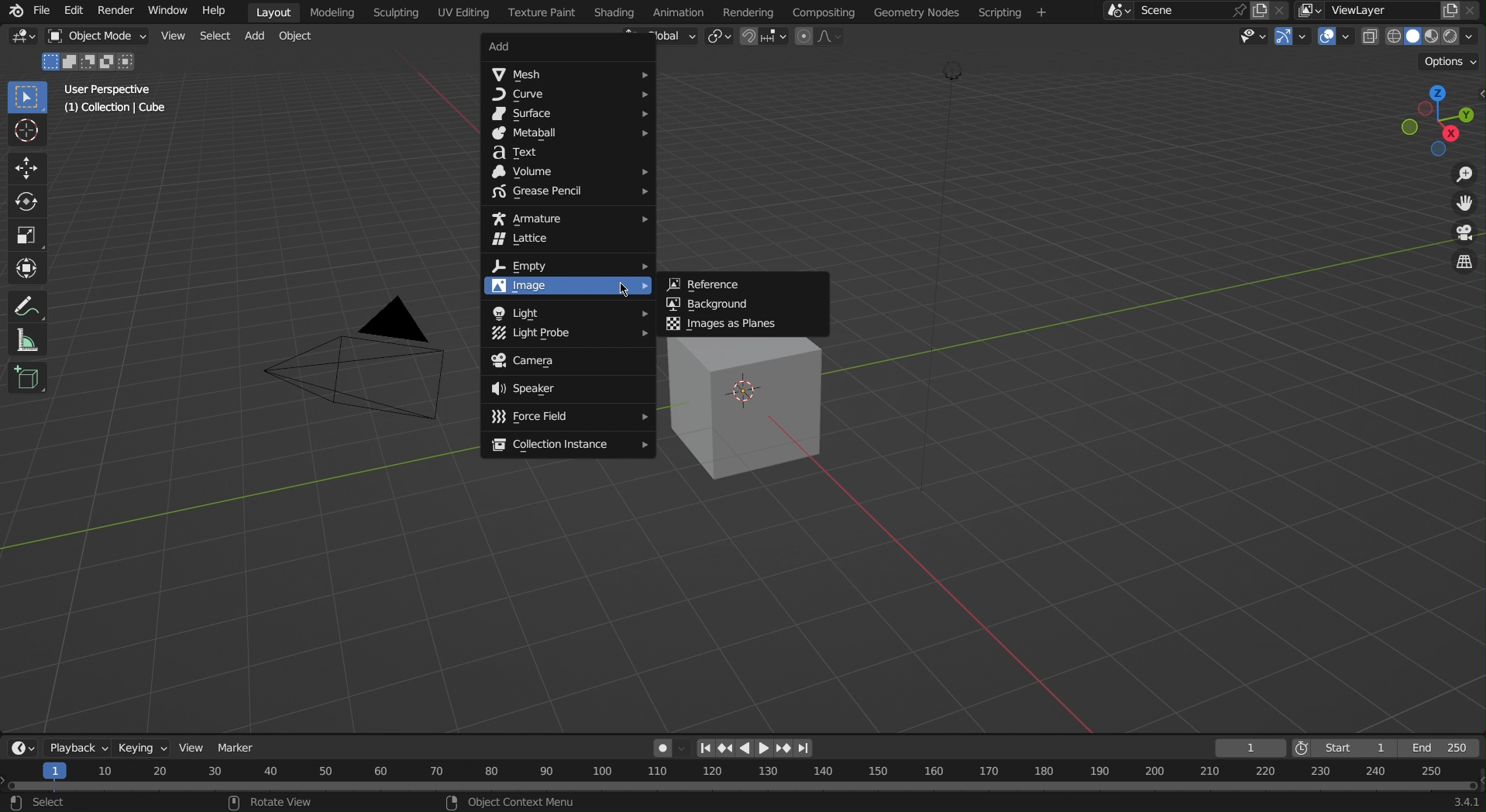  I want to click on Text, so click(569, 153).